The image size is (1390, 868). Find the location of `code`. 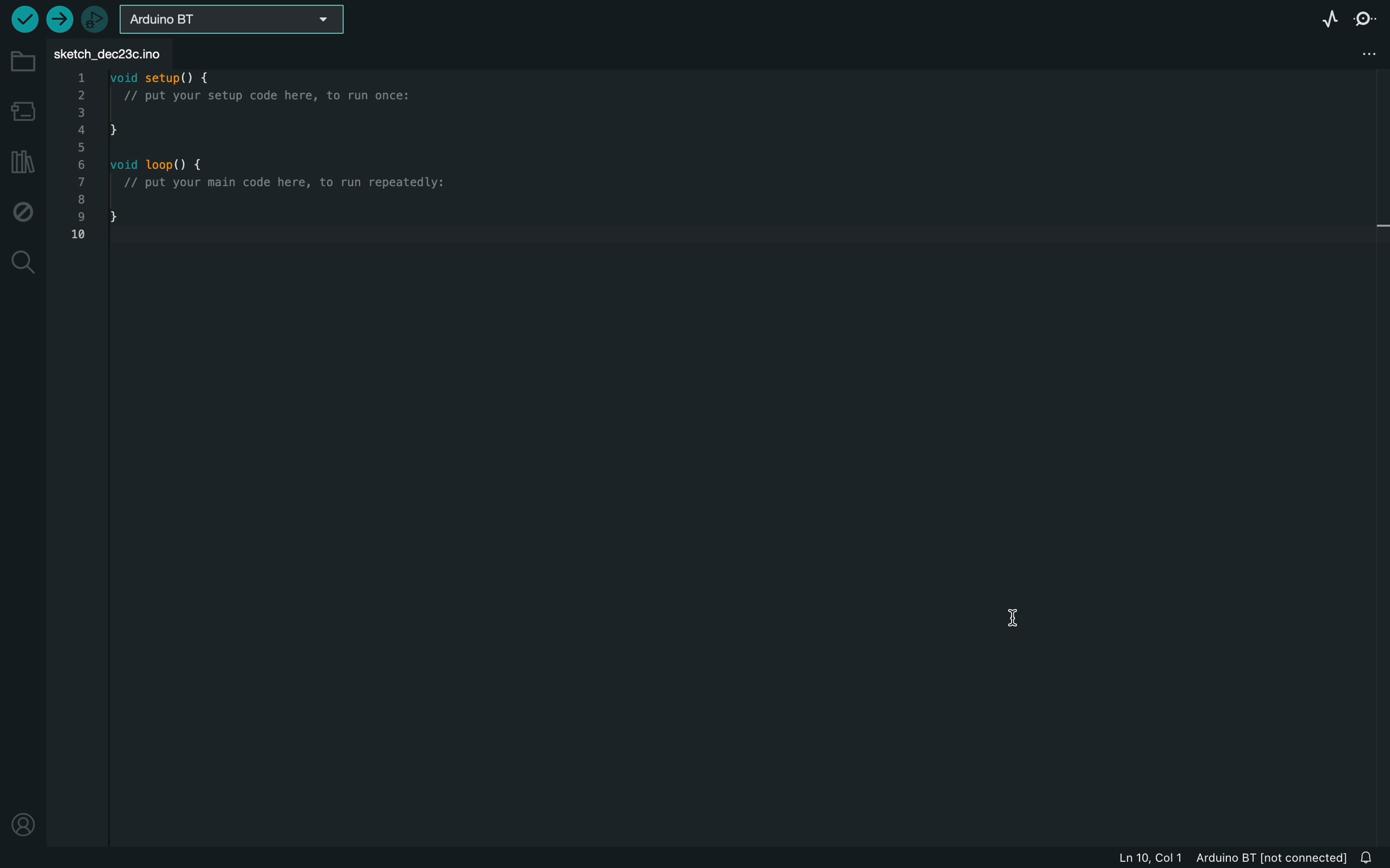

code is located at coordinates (248, 162).